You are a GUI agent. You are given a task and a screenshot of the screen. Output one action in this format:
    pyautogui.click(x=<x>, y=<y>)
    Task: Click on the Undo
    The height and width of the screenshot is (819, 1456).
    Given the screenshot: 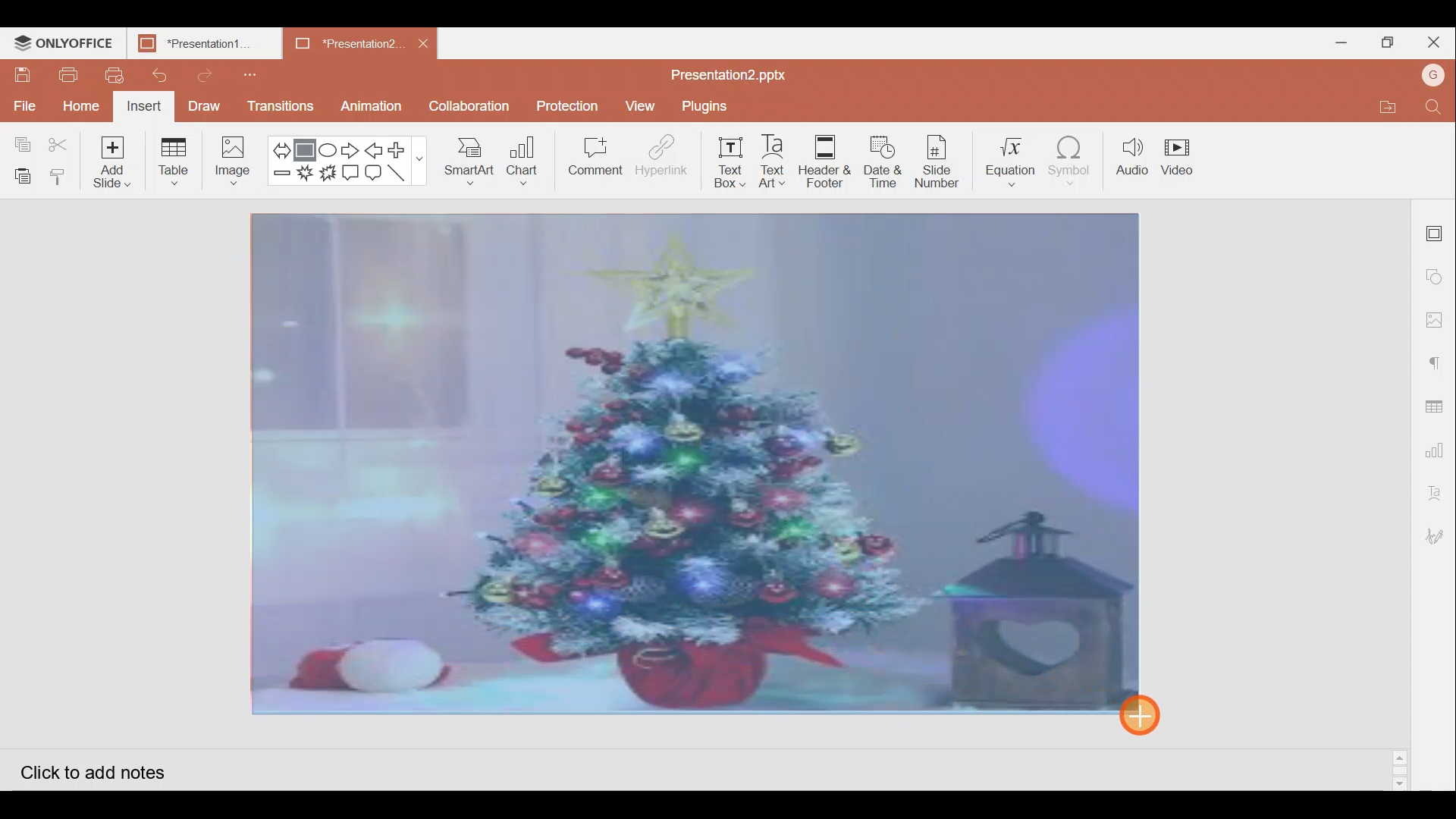 What is the action you would take?
    pyautogui.click(x=160, y=76)
    